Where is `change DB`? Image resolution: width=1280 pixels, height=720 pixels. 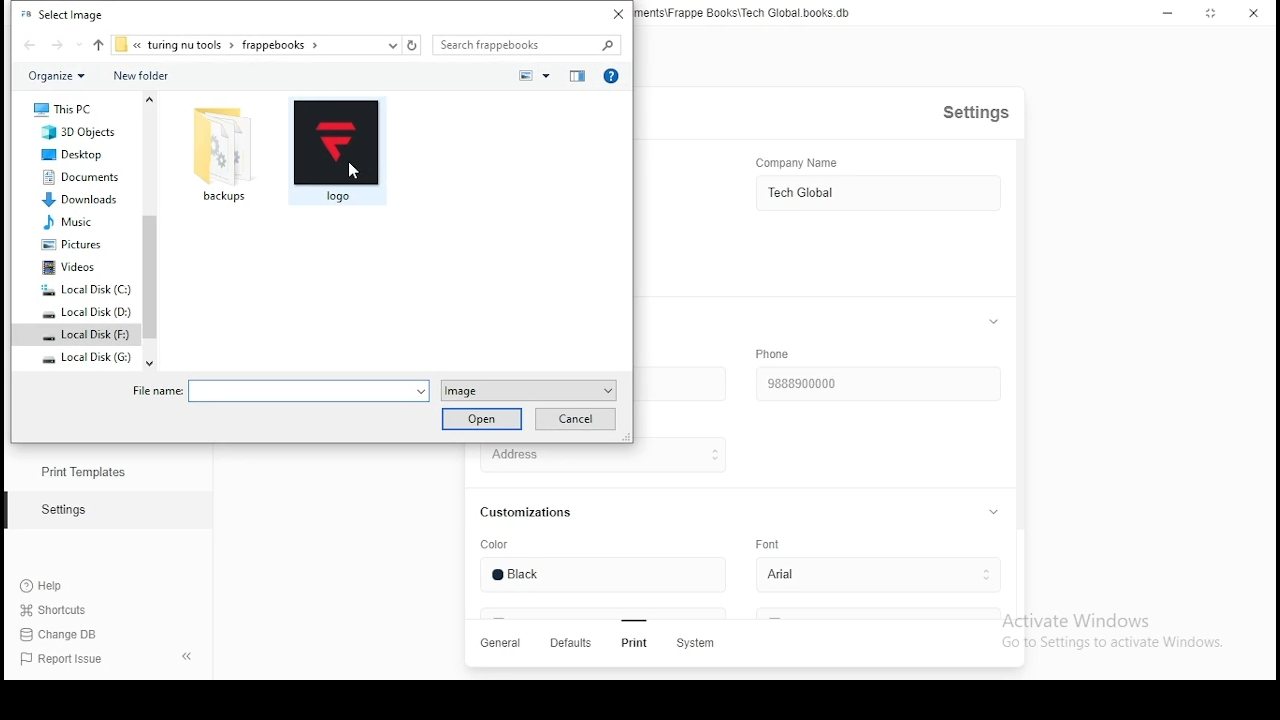
change DB is located at coordinates (54, 637).